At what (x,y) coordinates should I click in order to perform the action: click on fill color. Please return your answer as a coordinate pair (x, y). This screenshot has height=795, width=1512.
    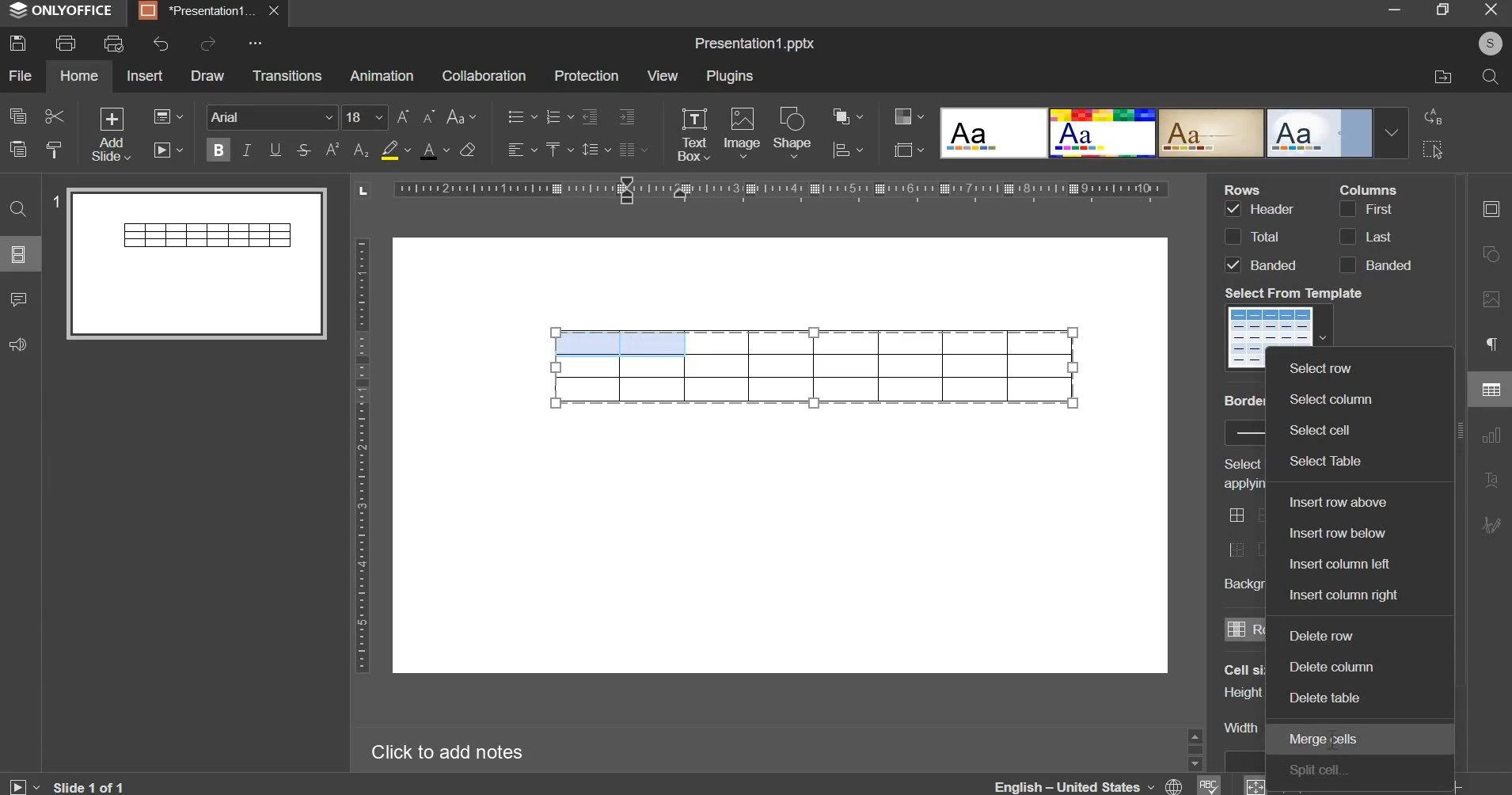
    Looking at the image, I should click on (394, 150).